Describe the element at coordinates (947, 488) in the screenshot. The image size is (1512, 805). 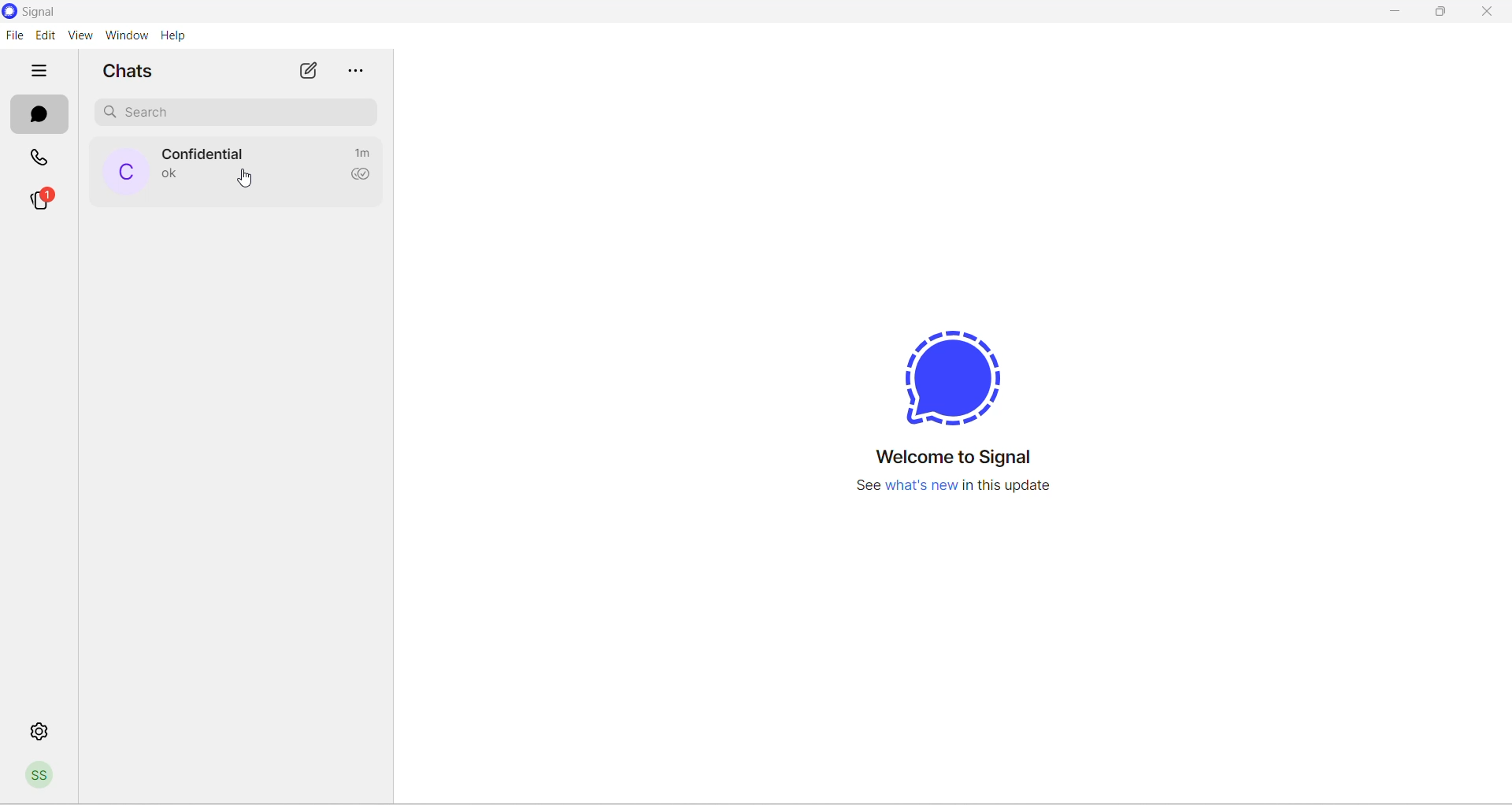
I see `new update information` at that location.